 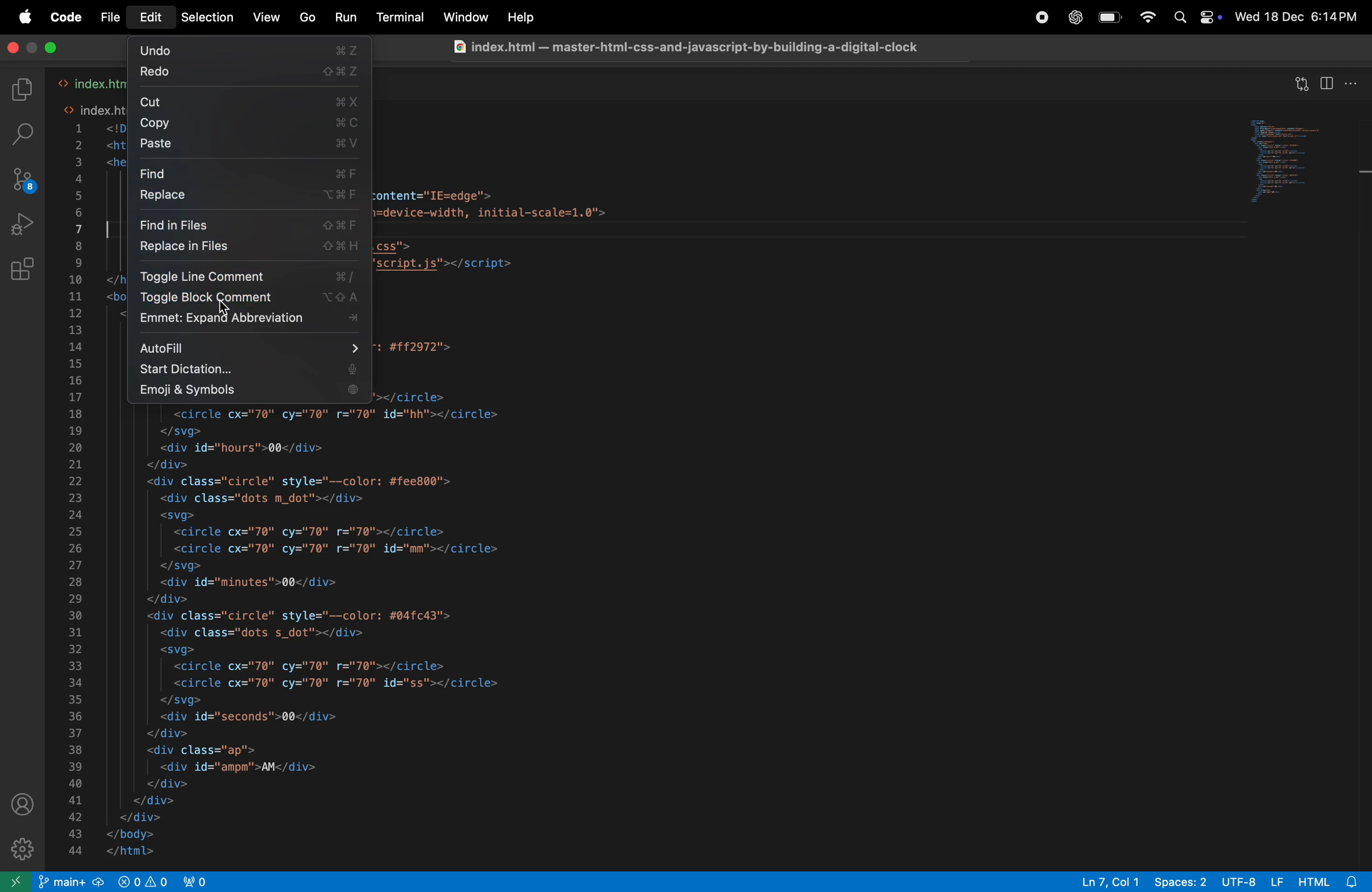 I want to click on options, so click(x=1354, y=82).